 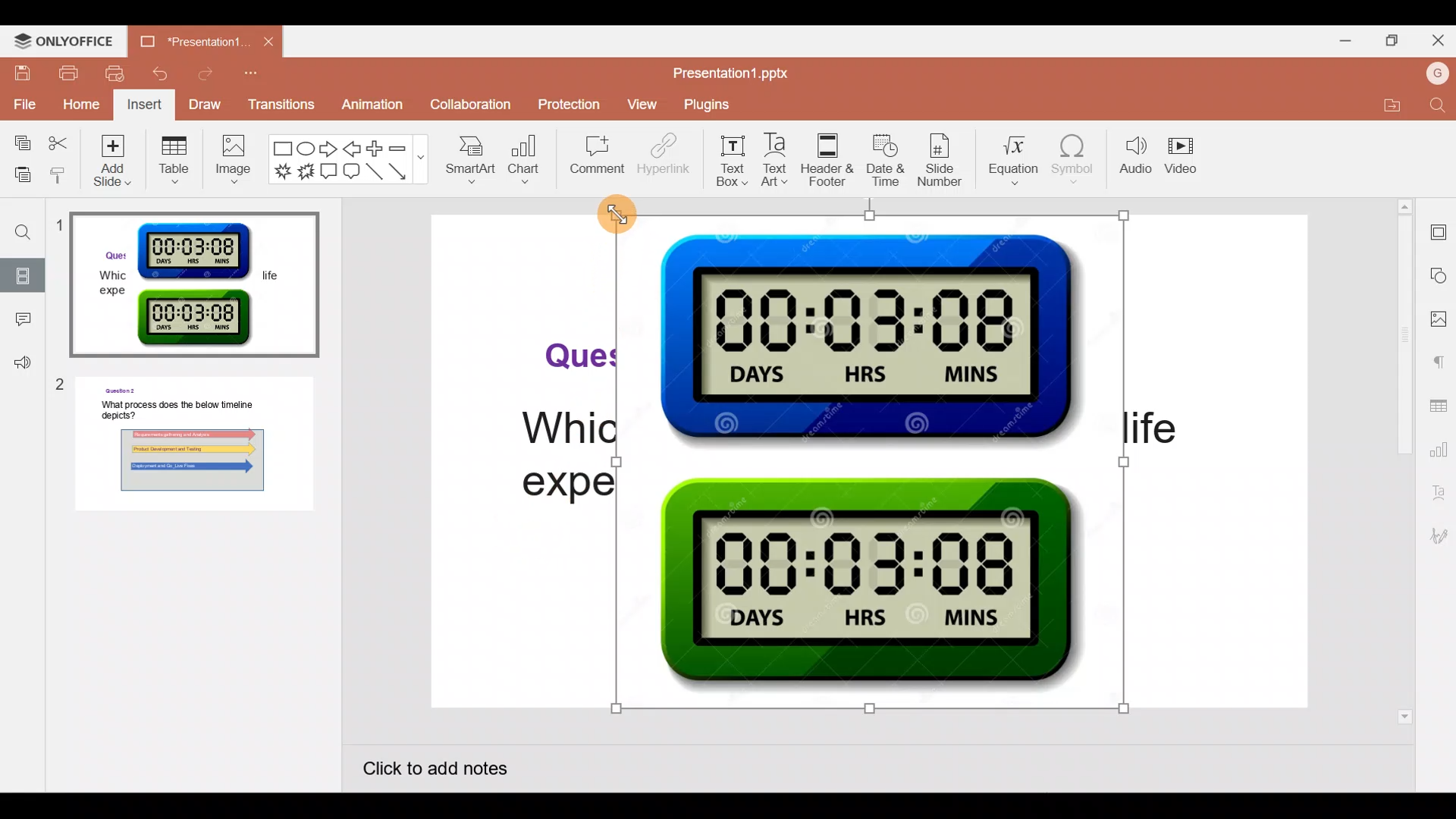 What do you see at coordinates (174, 165) in the screenshot?
I see `Table` at bounding box center [174, 165].